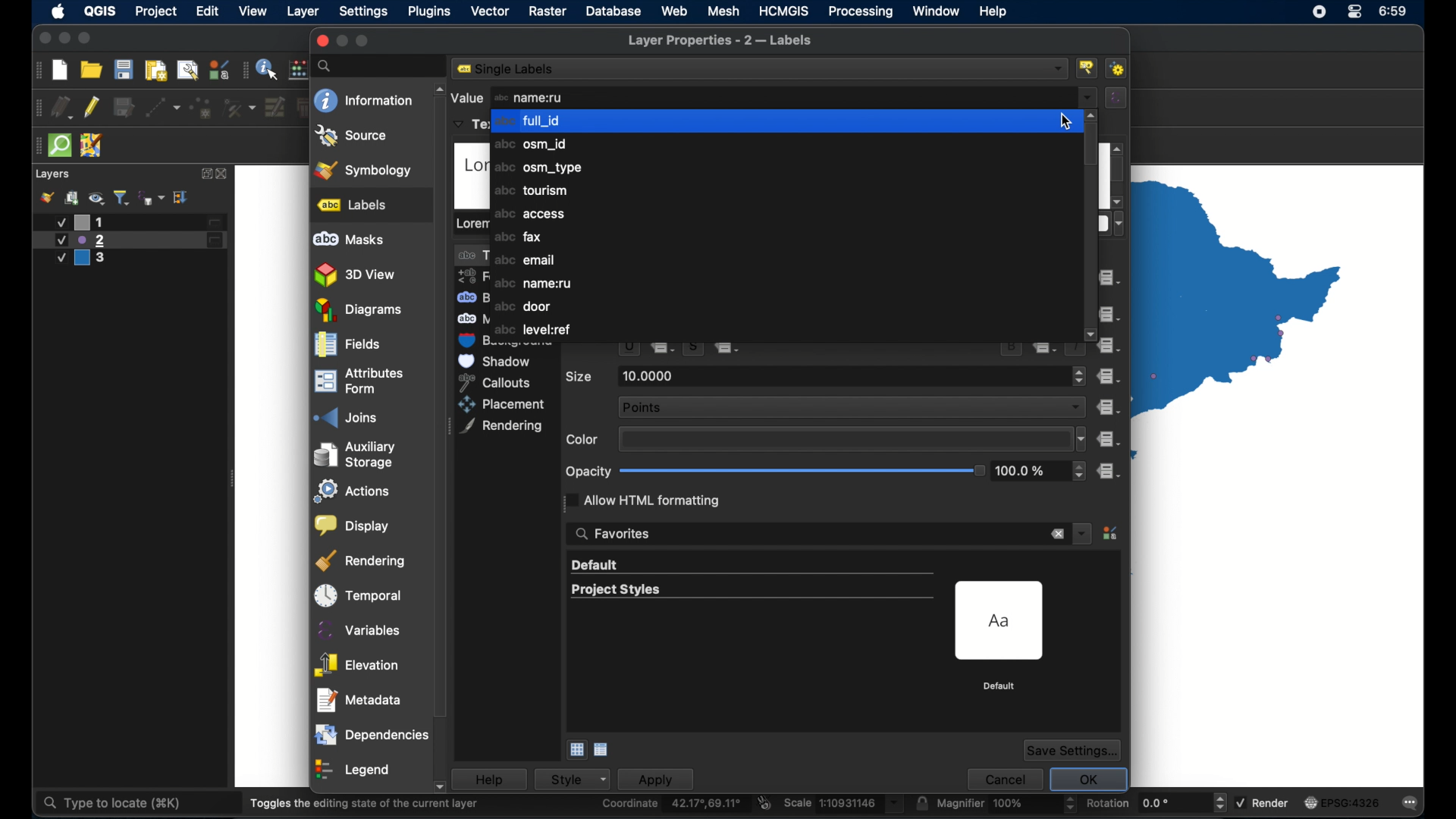 This screenshot has width=1456, height=819. I want to click on scroll down arrow, so click(1117, 202).